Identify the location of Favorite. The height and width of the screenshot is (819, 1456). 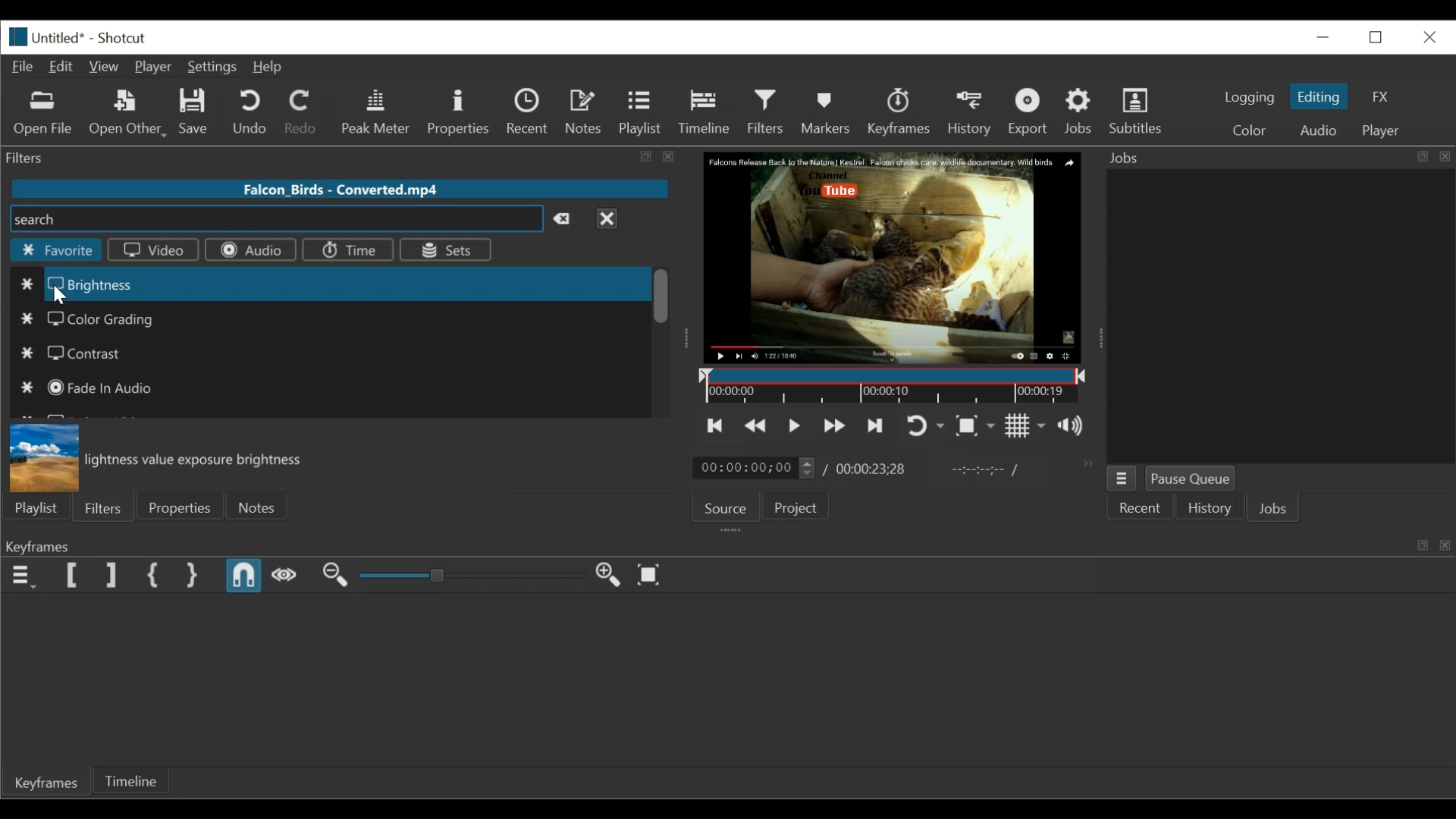
(55, 249).